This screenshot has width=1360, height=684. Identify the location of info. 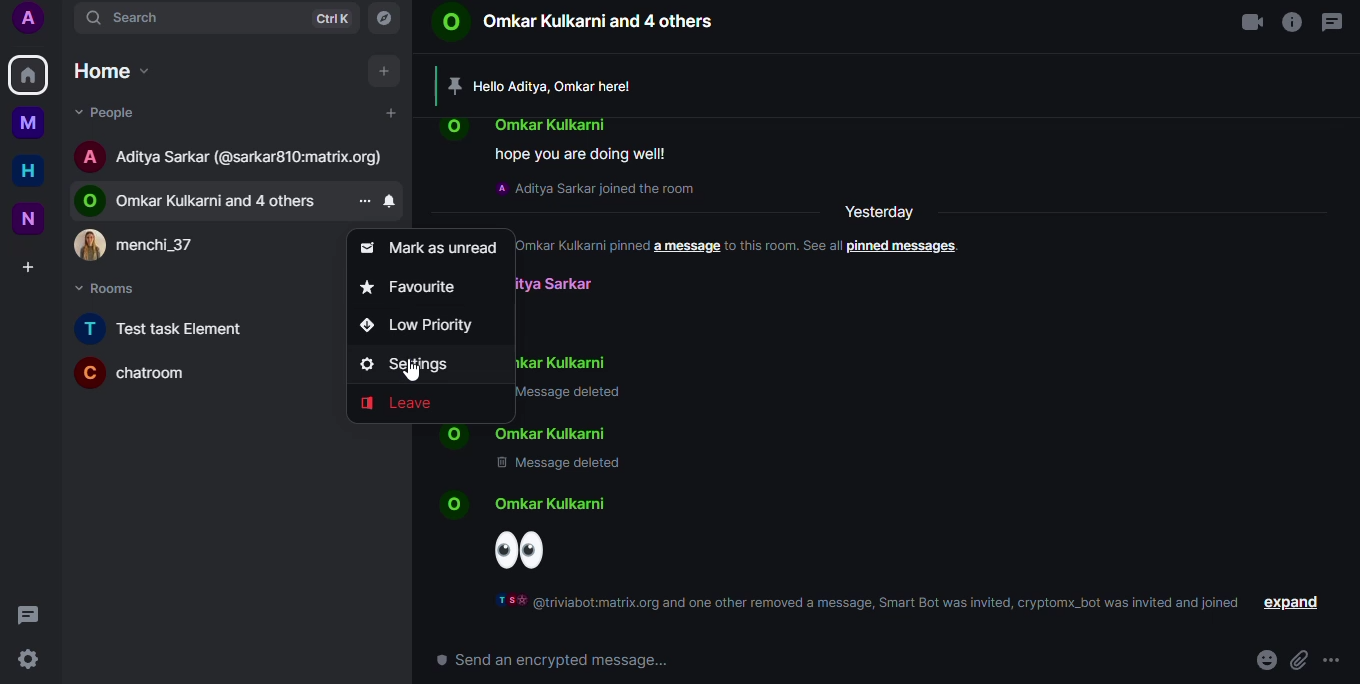
(744, 248).